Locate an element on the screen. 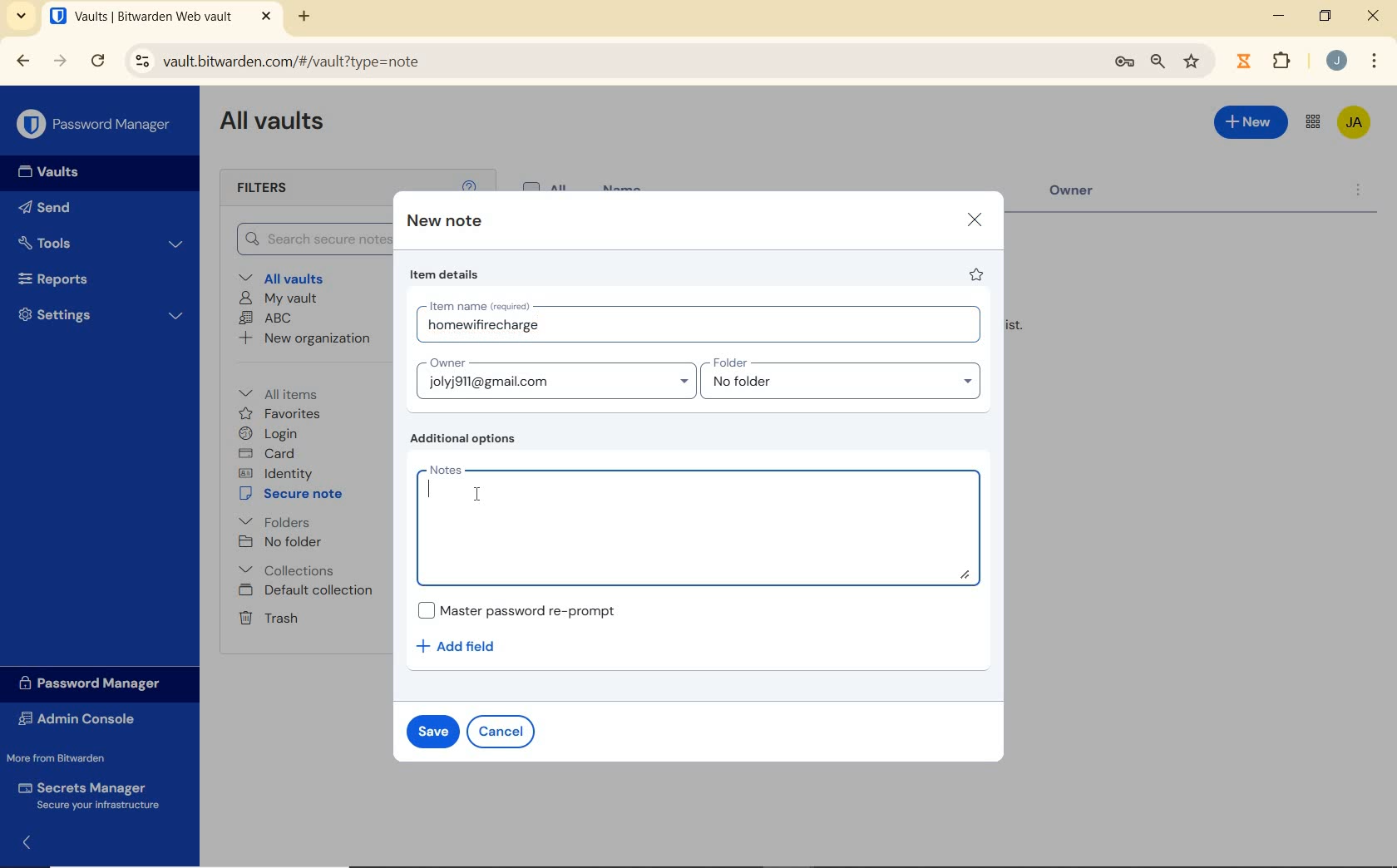 The width and height of the screenshot is (1397, 868). New organization is located at coordinates (306, 338).